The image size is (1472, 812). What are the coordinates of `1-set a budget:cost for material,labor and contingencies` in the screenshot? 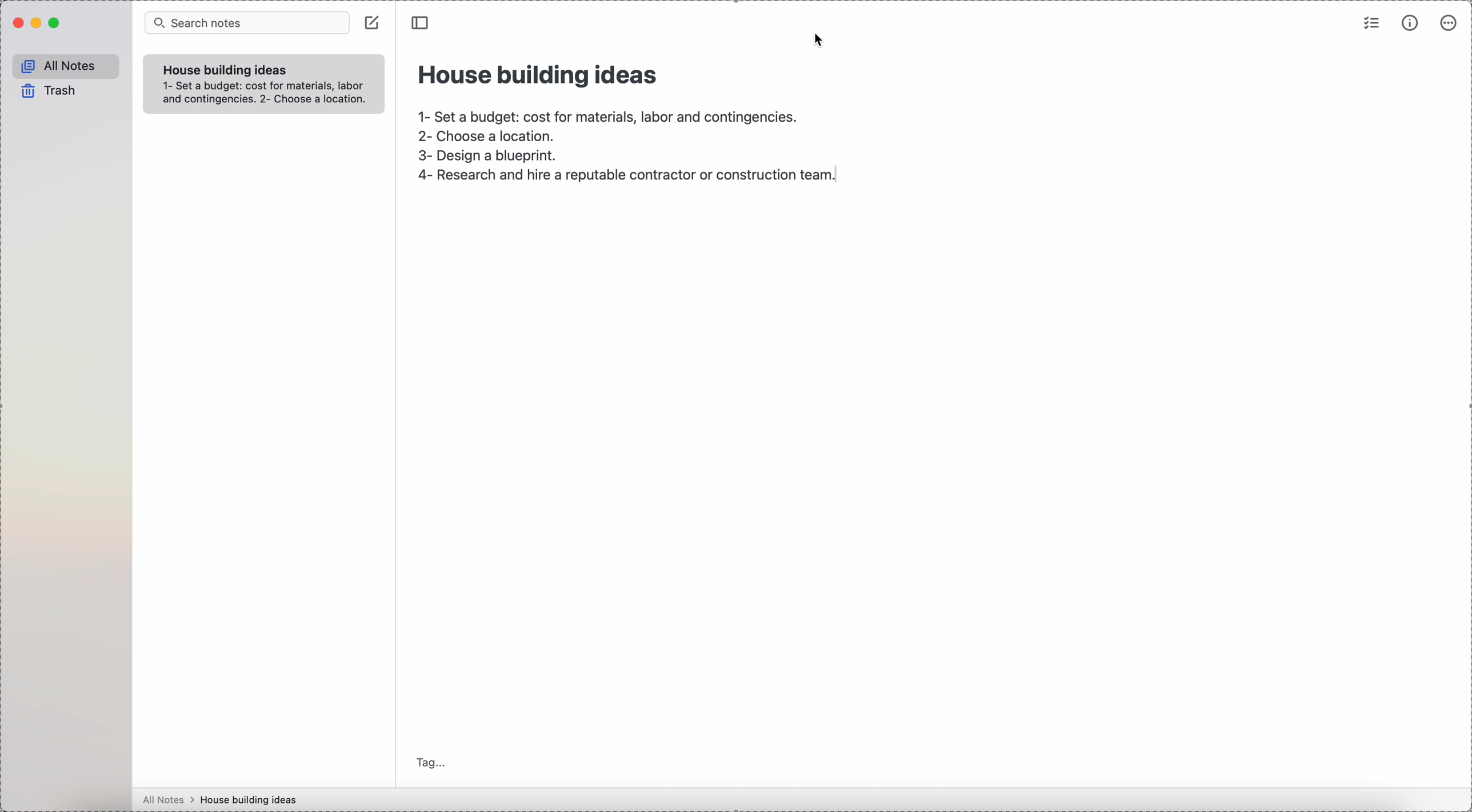 It's located at (606, 113).